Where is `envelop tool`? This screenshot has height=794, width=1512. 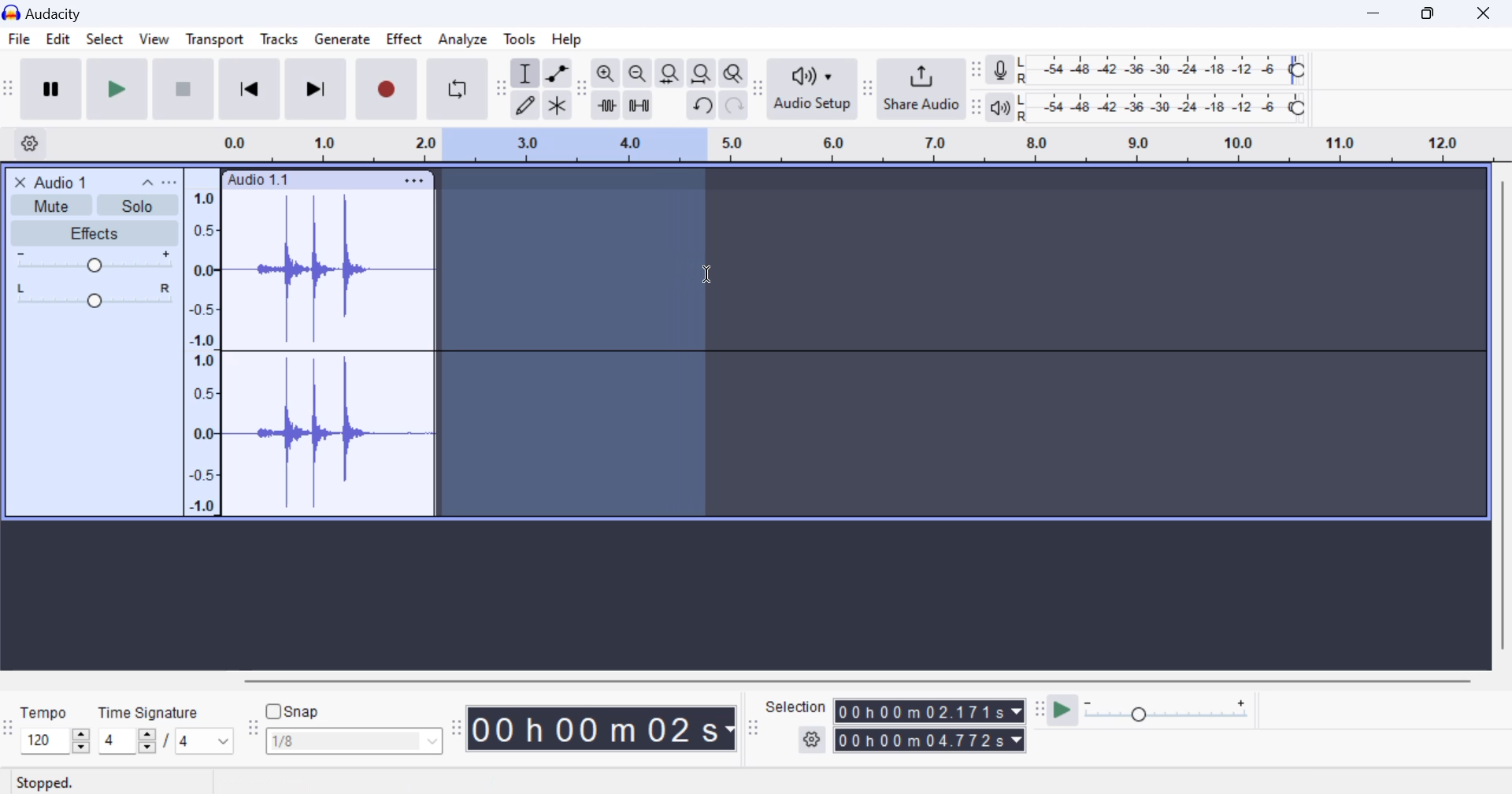
envelop tool is located at coordinates (557, 75).